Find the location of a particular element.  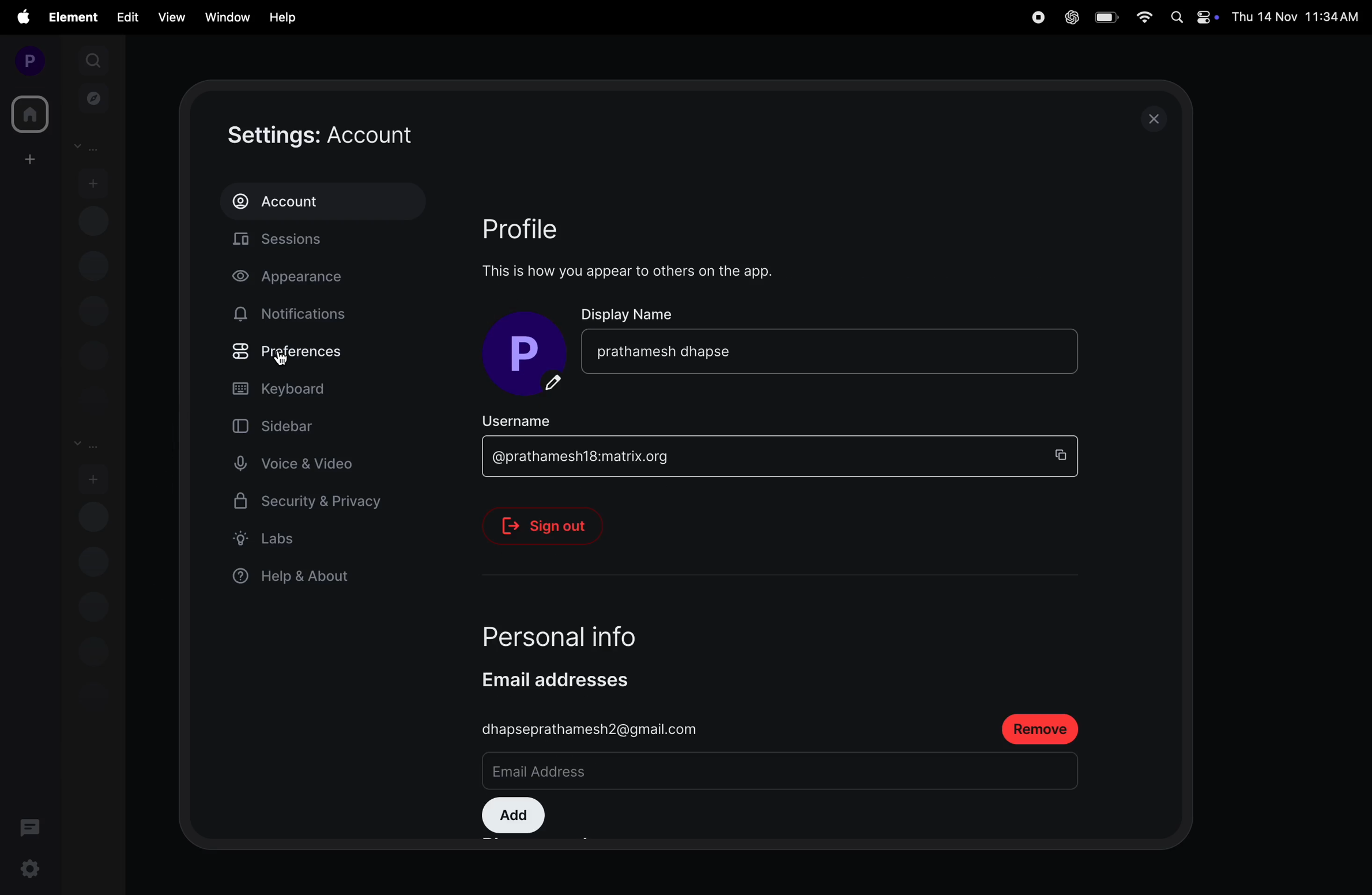

apperance is located at coordinates (318, 279).